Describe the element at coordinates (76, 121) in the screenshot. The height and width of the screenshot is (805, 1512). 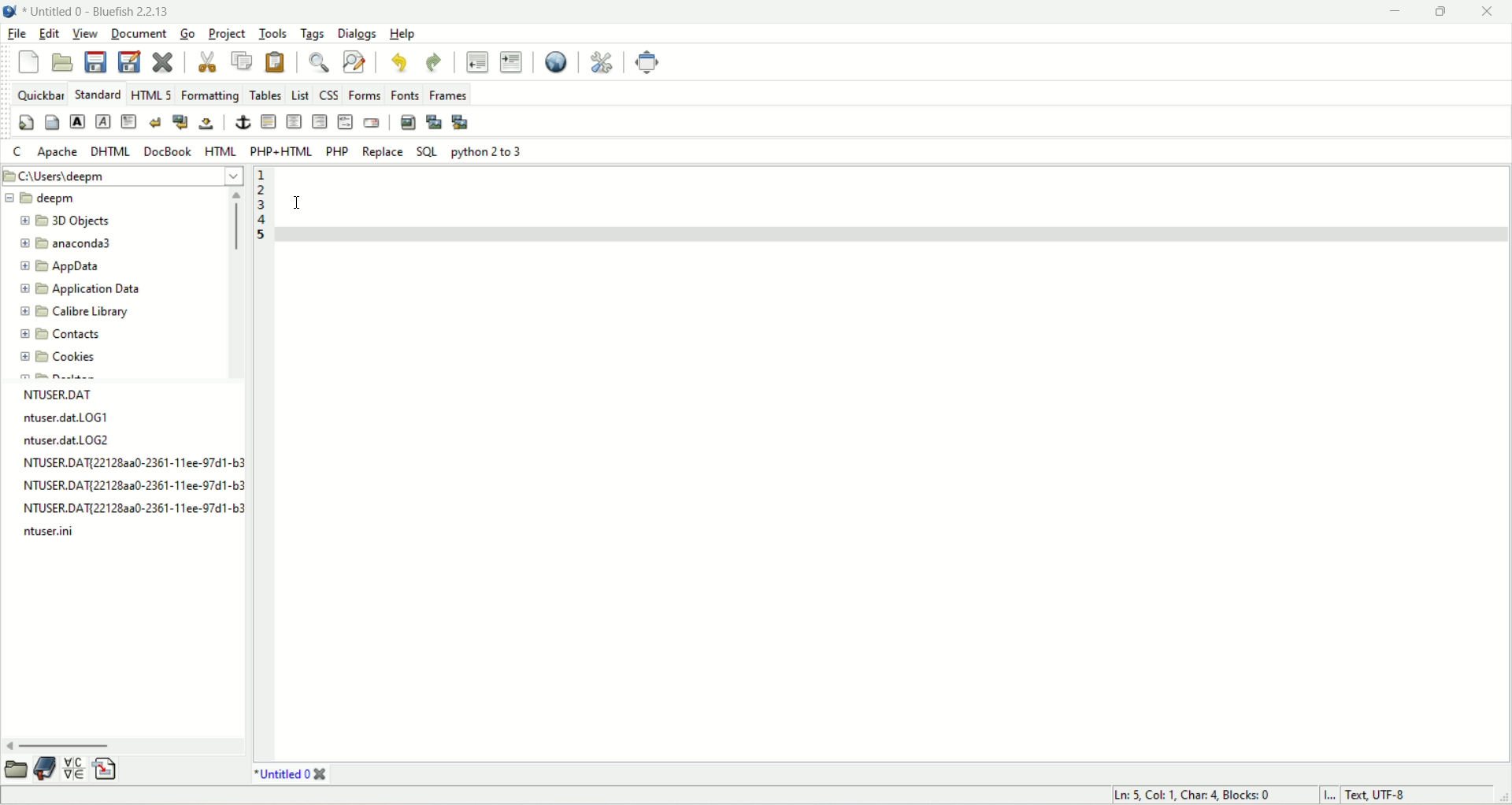
I see `strong` at that location.